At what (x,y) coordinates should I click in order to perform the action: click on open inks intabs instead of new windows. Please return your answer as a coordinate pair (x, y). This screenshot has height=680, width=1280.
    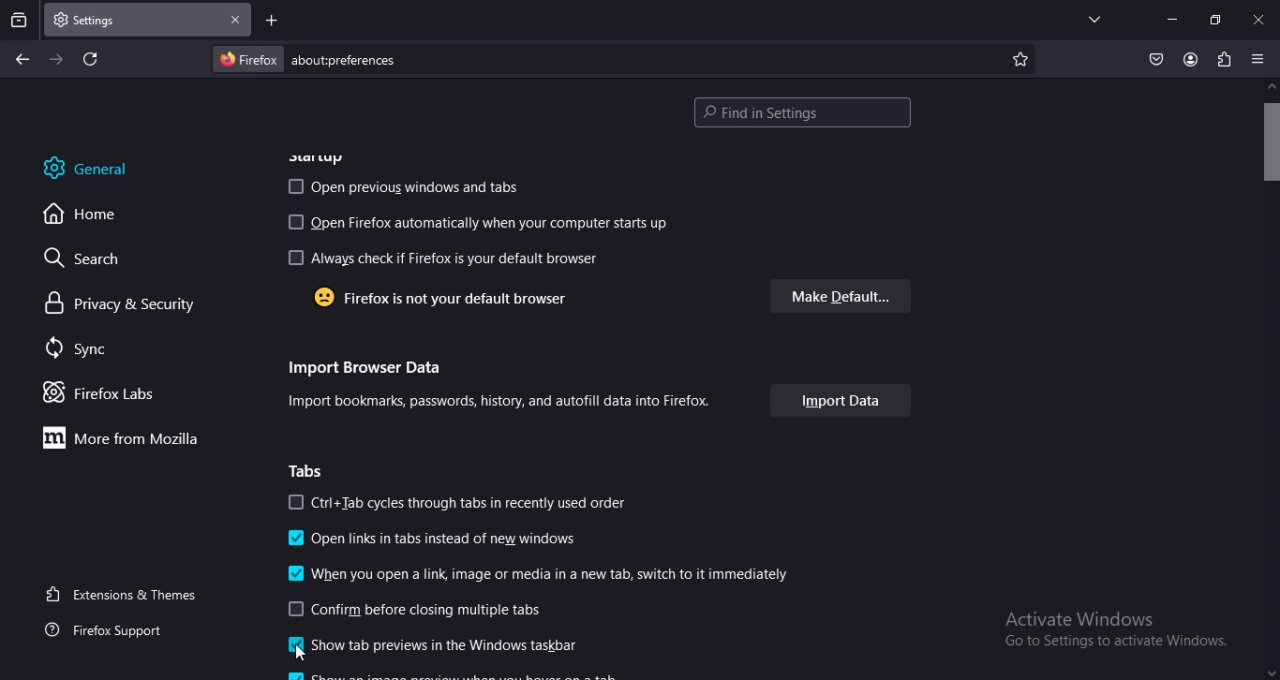
    Looking at the image, I should click on (431, 540).